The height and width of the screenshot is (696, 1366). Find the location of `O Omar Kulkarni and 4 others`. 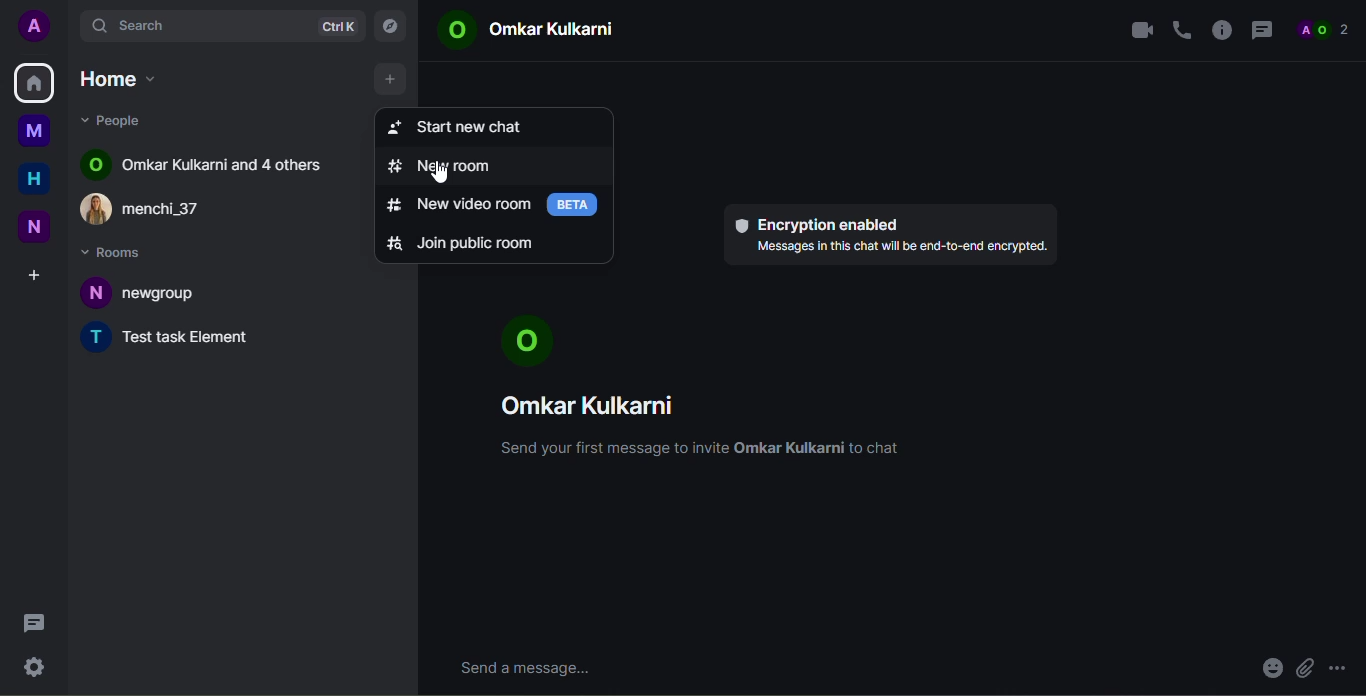

O Omar Kulkarni and 4 others is located at coordinates (205, 164).